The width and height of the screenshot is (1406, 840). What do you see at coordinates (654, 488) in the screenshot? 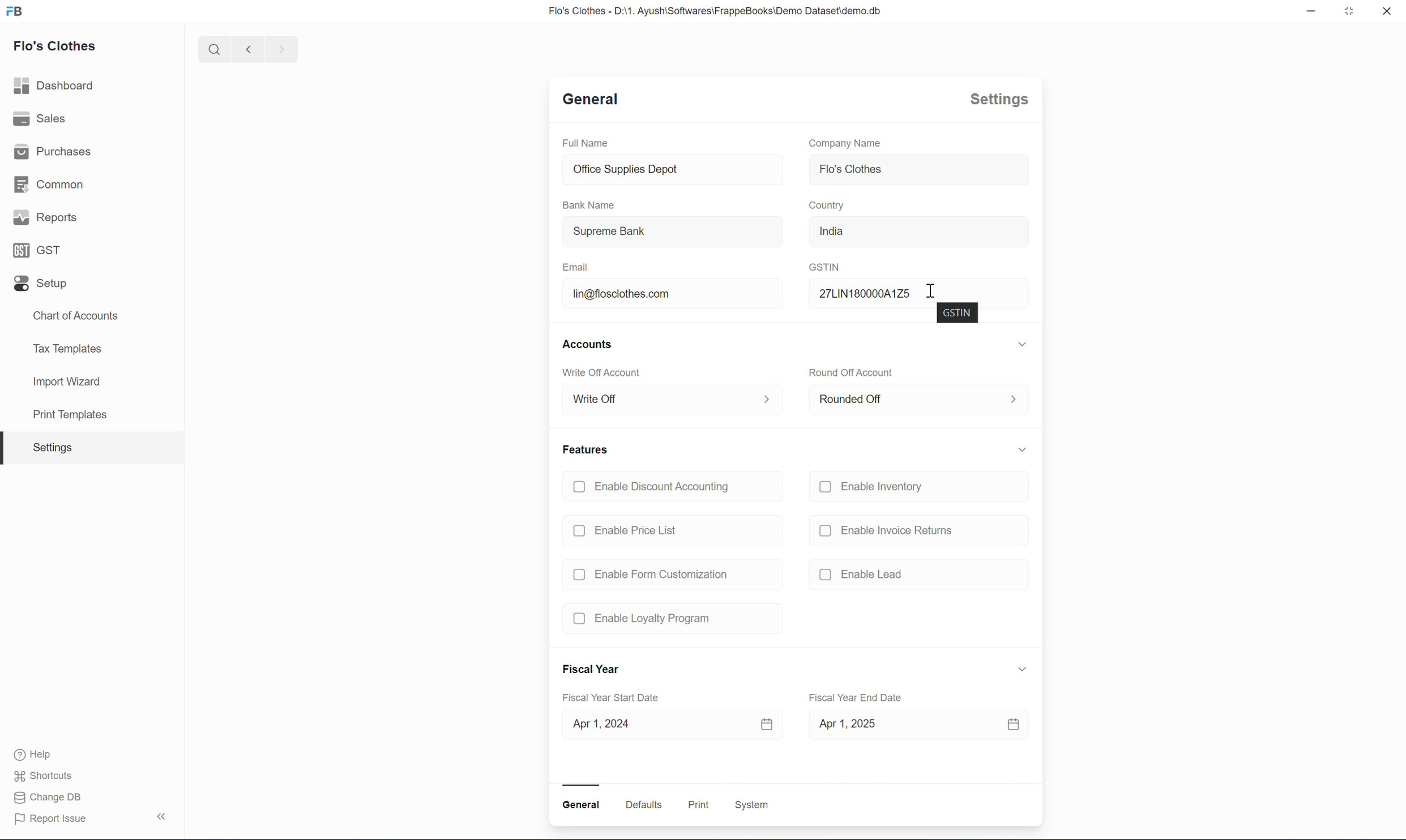
I see `Enable Discount Accounting` at bounding box center [654, 488].